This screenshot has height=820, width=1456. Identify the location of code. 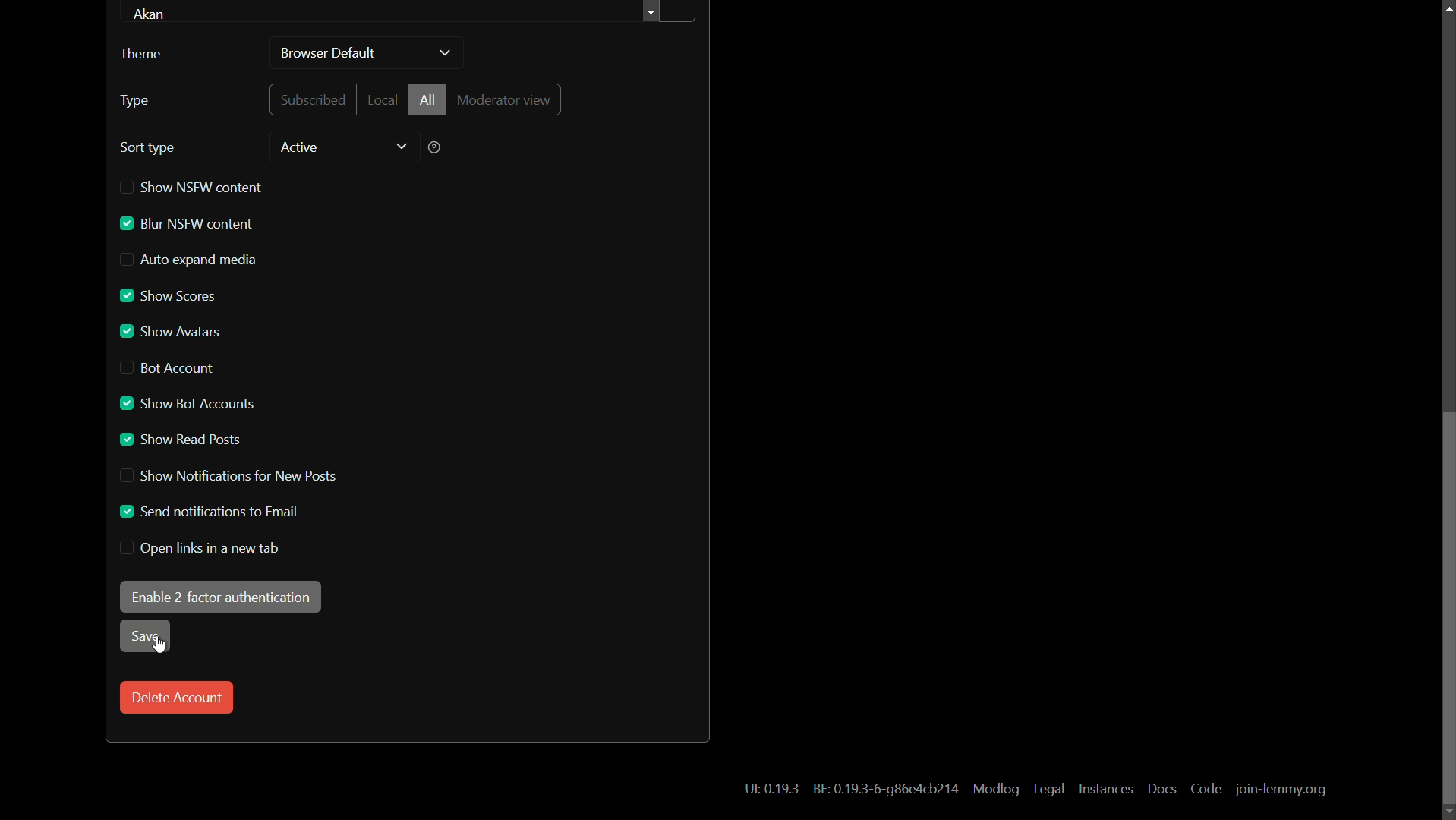
(1207, 790).